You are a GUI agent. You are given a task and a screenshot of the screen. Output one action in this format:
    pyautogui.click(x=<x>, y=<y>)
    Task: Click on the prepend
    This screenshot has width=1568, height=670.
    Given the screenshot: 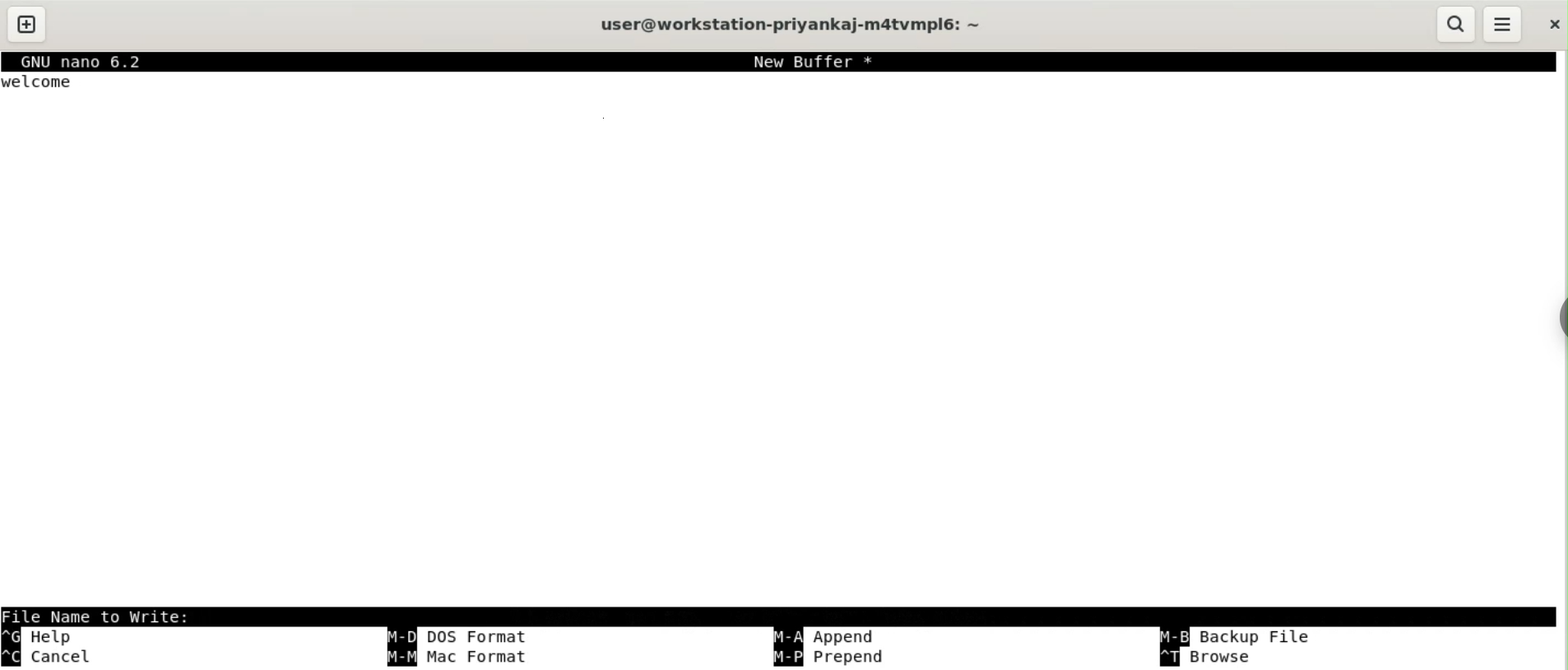 What is the action you would take?
    pyautogui.click(x=832, y=657)
    